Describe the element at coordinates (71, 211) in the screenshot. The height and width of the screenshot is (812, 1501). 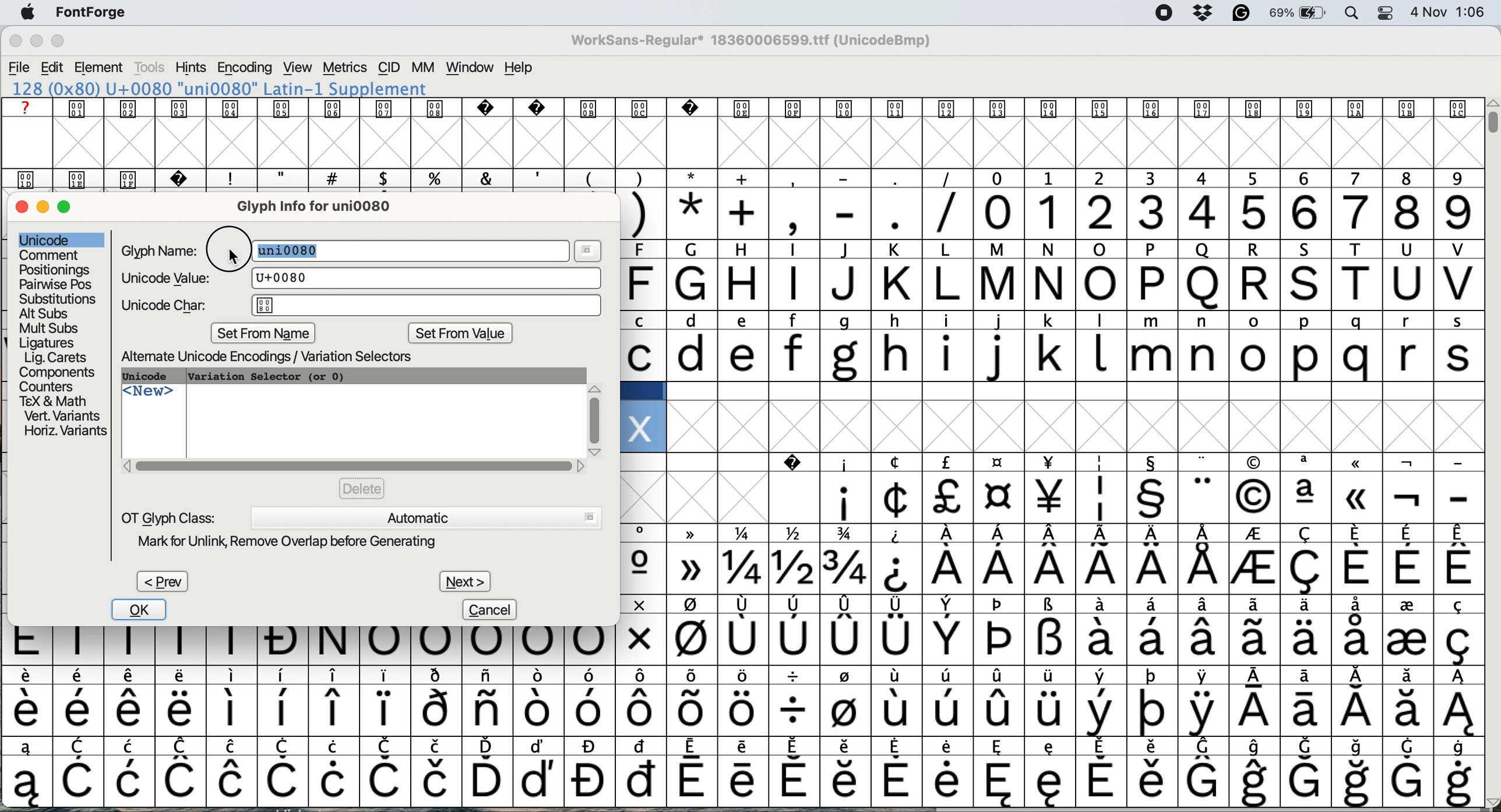
I see `maximise` at that location.